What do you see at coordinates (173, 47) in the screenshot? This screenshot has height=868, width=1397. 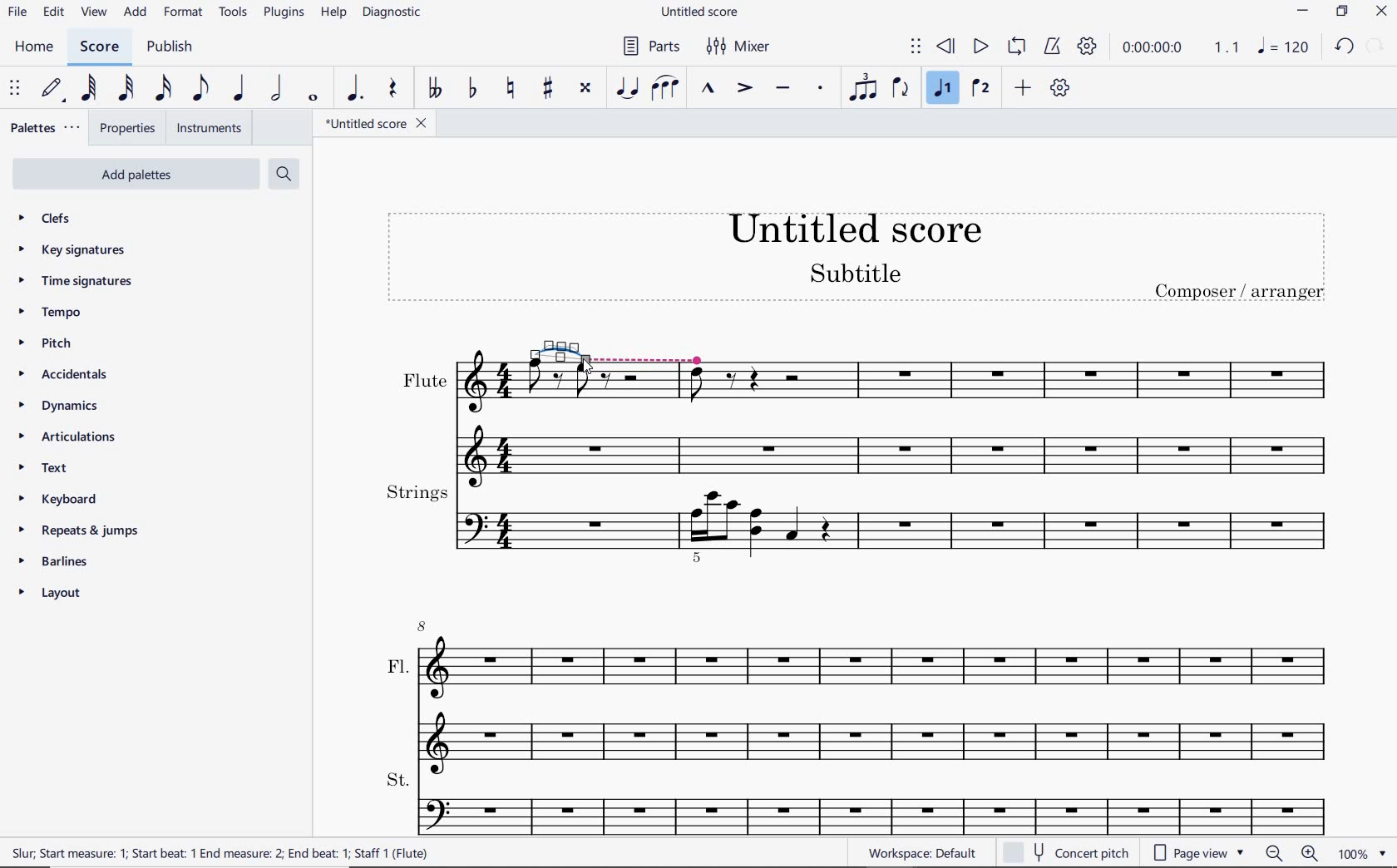 I see `PUBLISH` at bounding box center [173, 47].